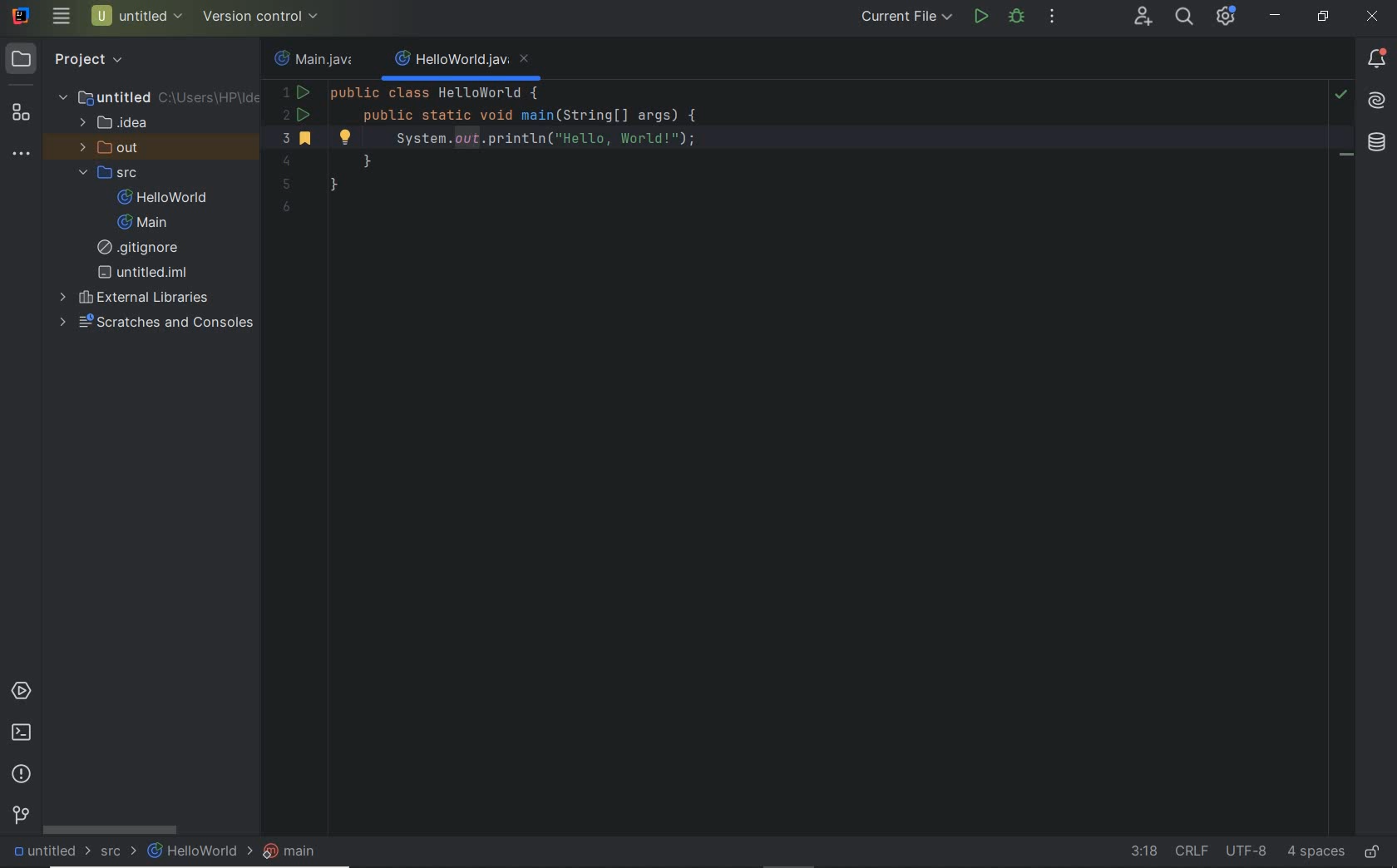  Describe the element at coordinates (318, 60) in the screenshot. I see `Main java` at that location.